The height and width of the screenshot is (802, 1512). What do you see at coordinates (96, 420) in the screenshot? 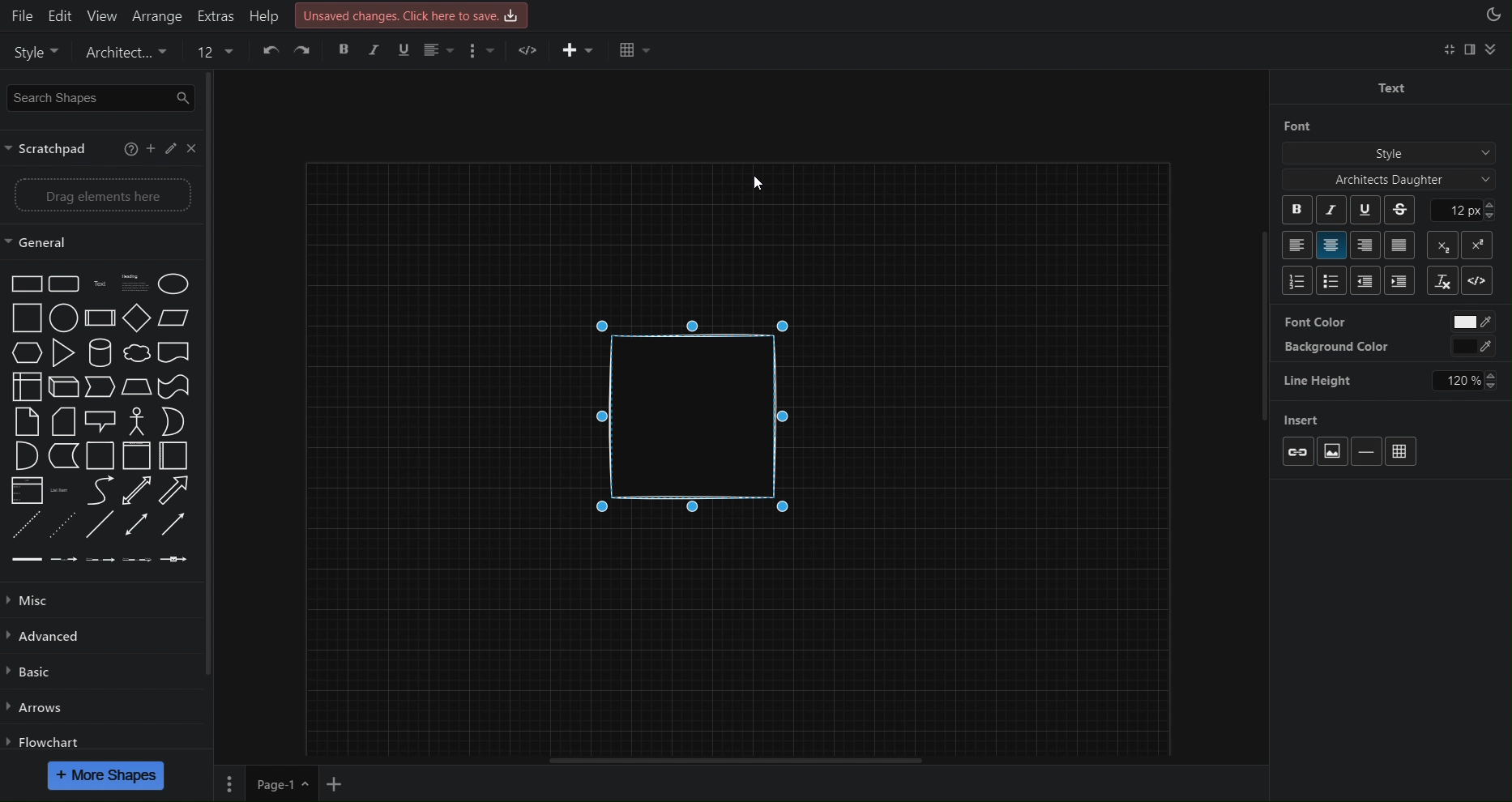
I see `Shapes Menu` at bounding box center [96, 420].